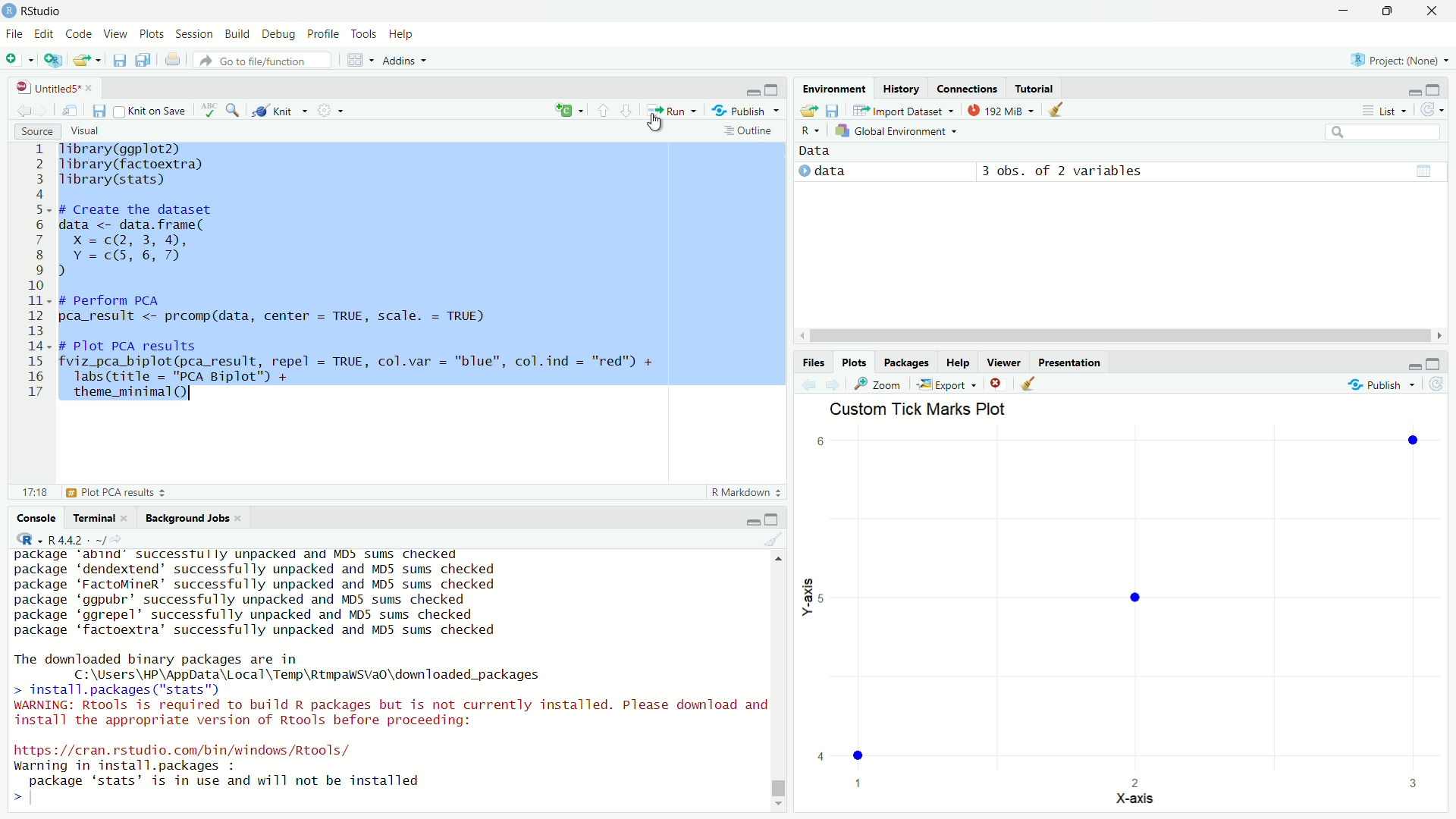 Image resolution: width=1456 pixels, height=819 pixels. Describe the element at coordinates (908, 362) in the screenshot. I see `Packages` at that location.